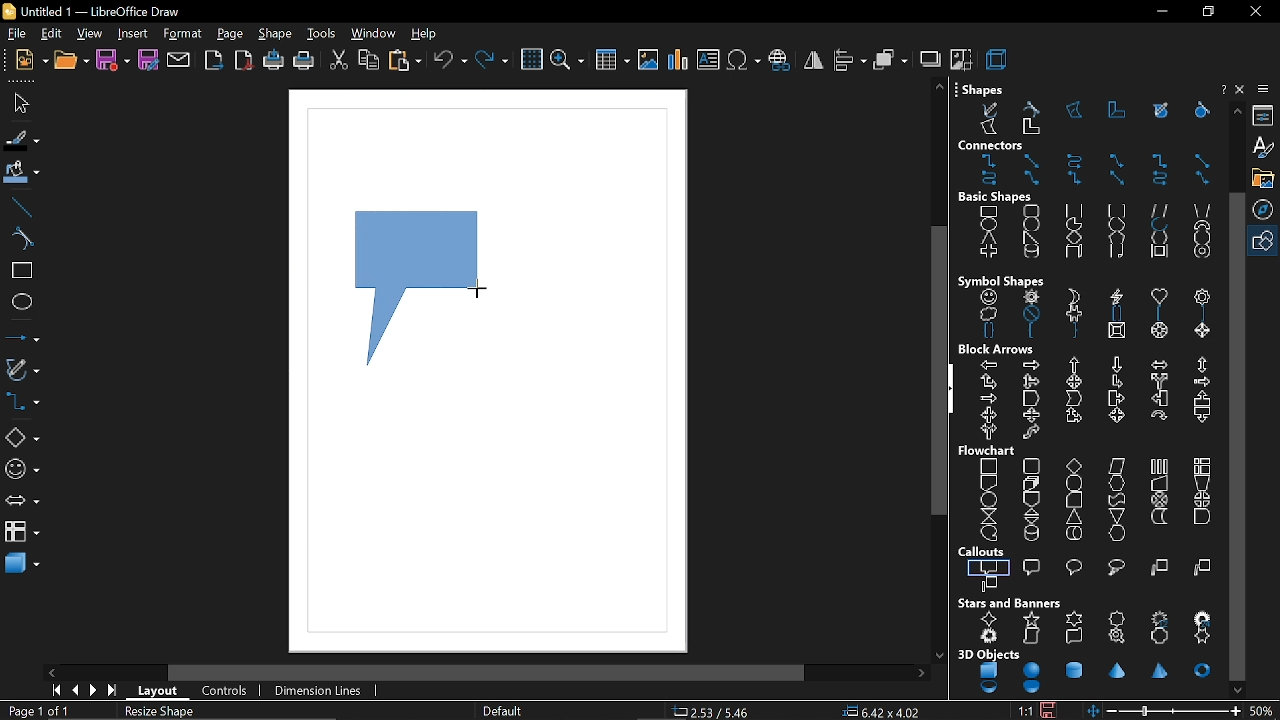 This screenshot has width=1280, height=720. Describe the element at coordinates (1117, 482) in the screenshot. I see `preparation` at that location.